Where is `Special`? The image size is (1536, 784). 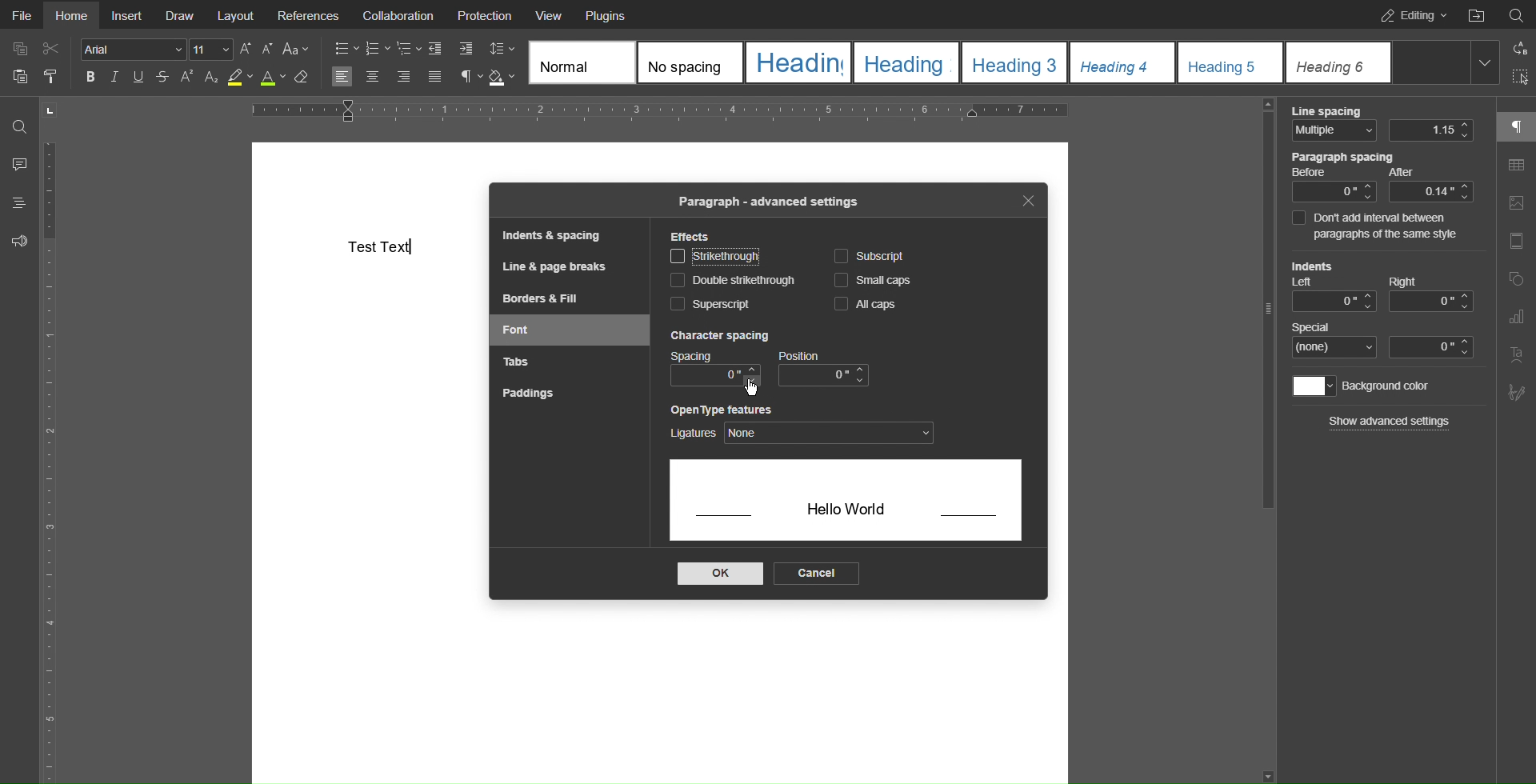 Special is located at coordinates (1383, 339).